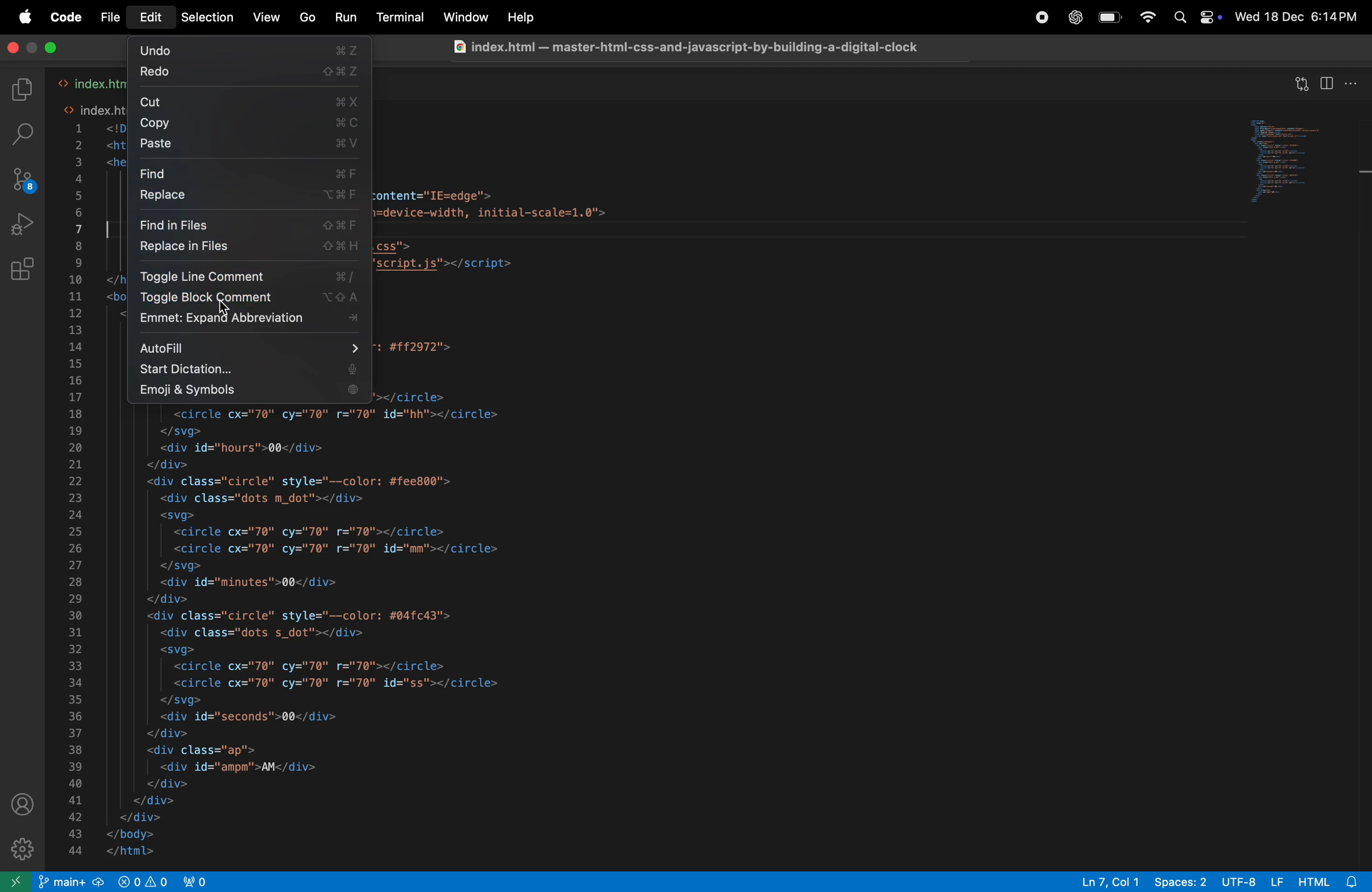 This screenshot has width=1372, height=892. I want to click on utf -8, so click(1252, 880).